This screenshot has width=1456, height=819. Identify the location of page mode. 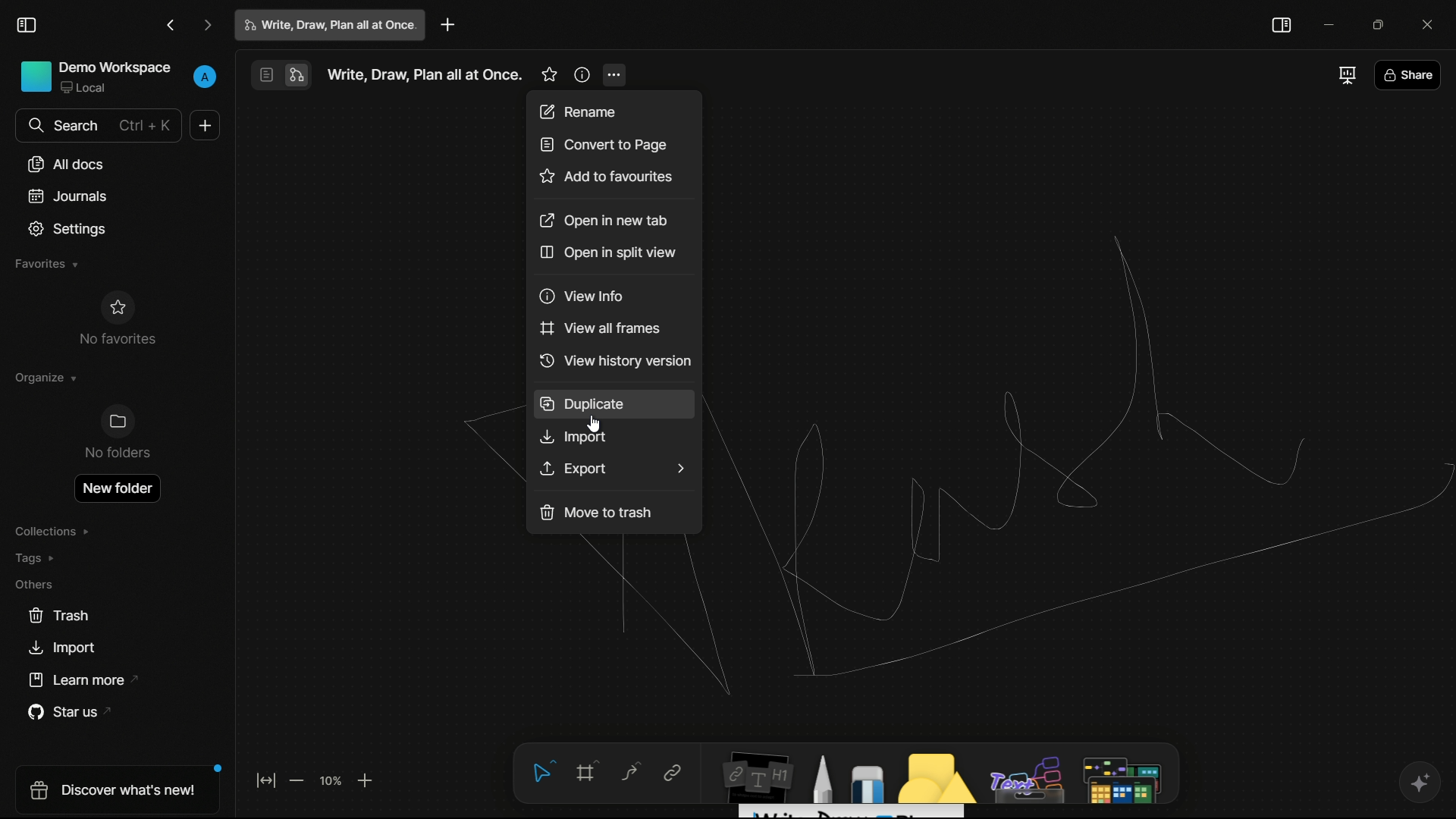
(265, 75).